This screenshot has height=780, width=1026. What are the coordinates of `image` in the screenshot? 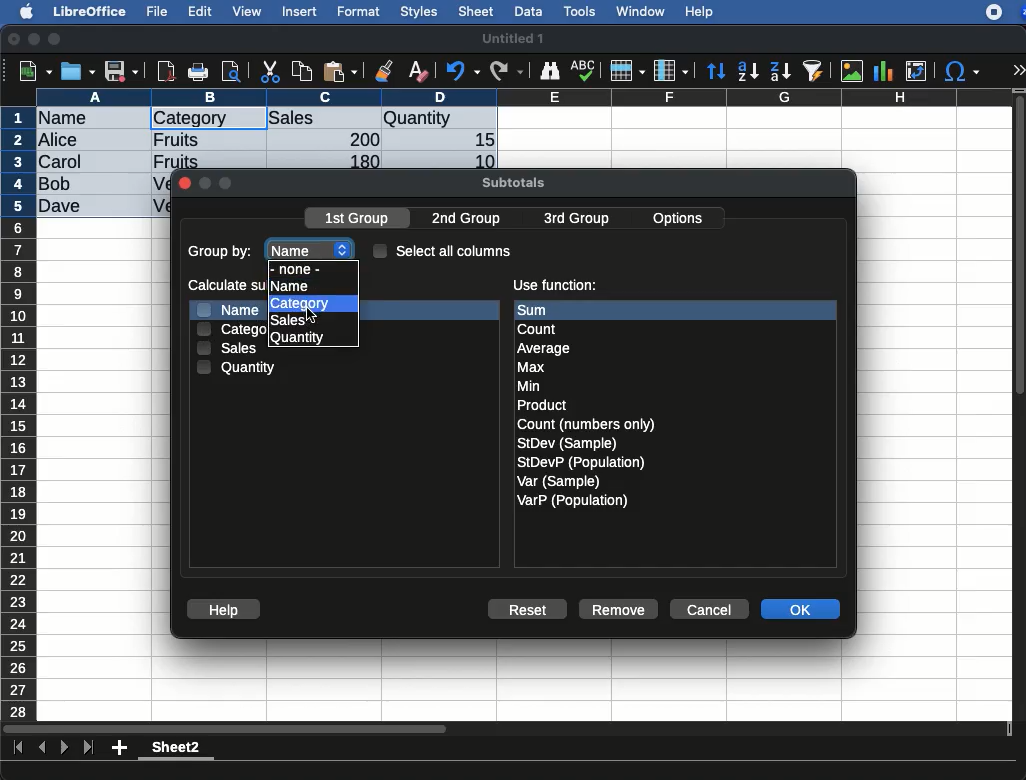 It's located at (854, 71).